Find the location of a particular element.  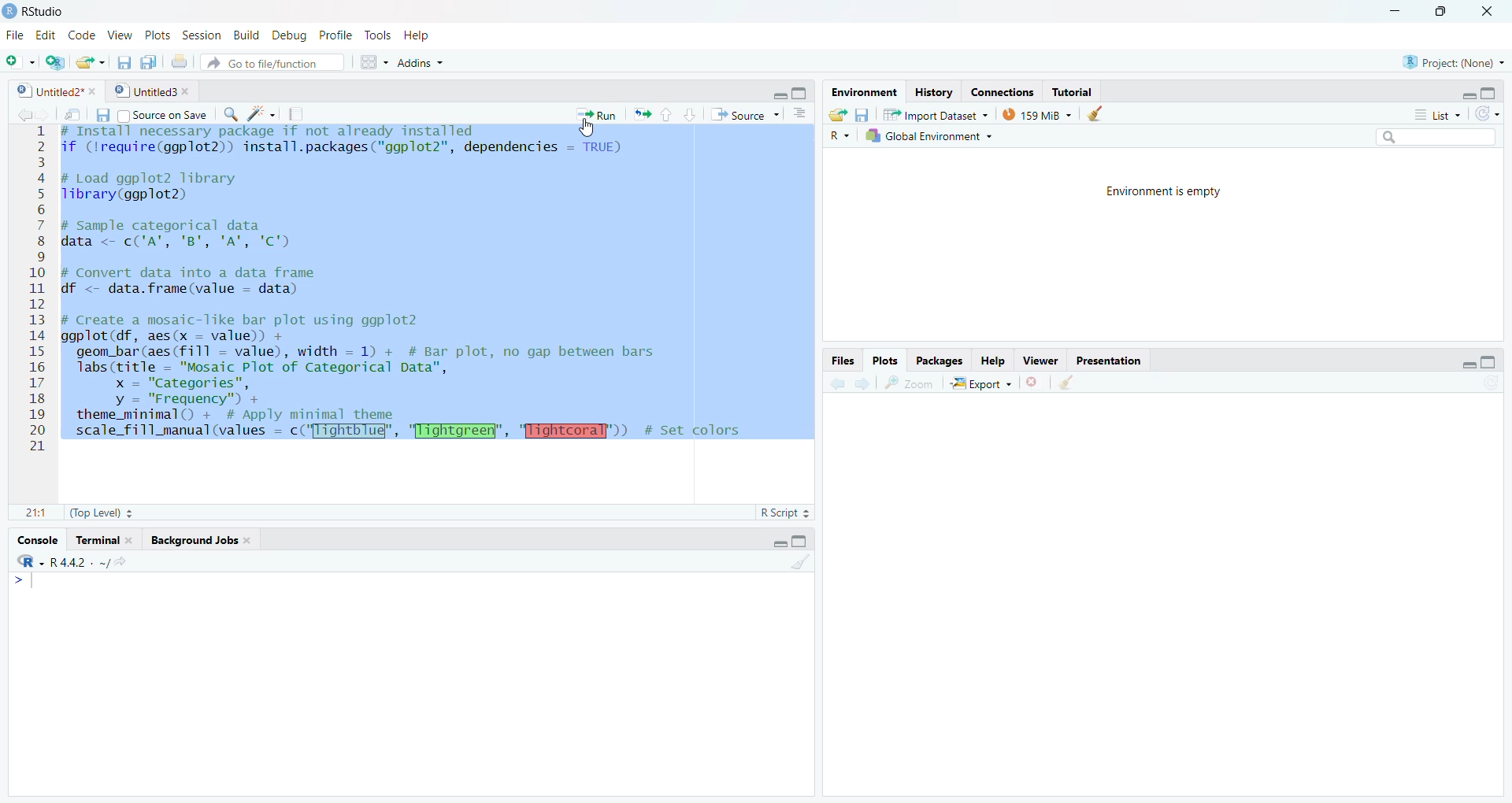

Clean is located at coordinates (1067, 383).